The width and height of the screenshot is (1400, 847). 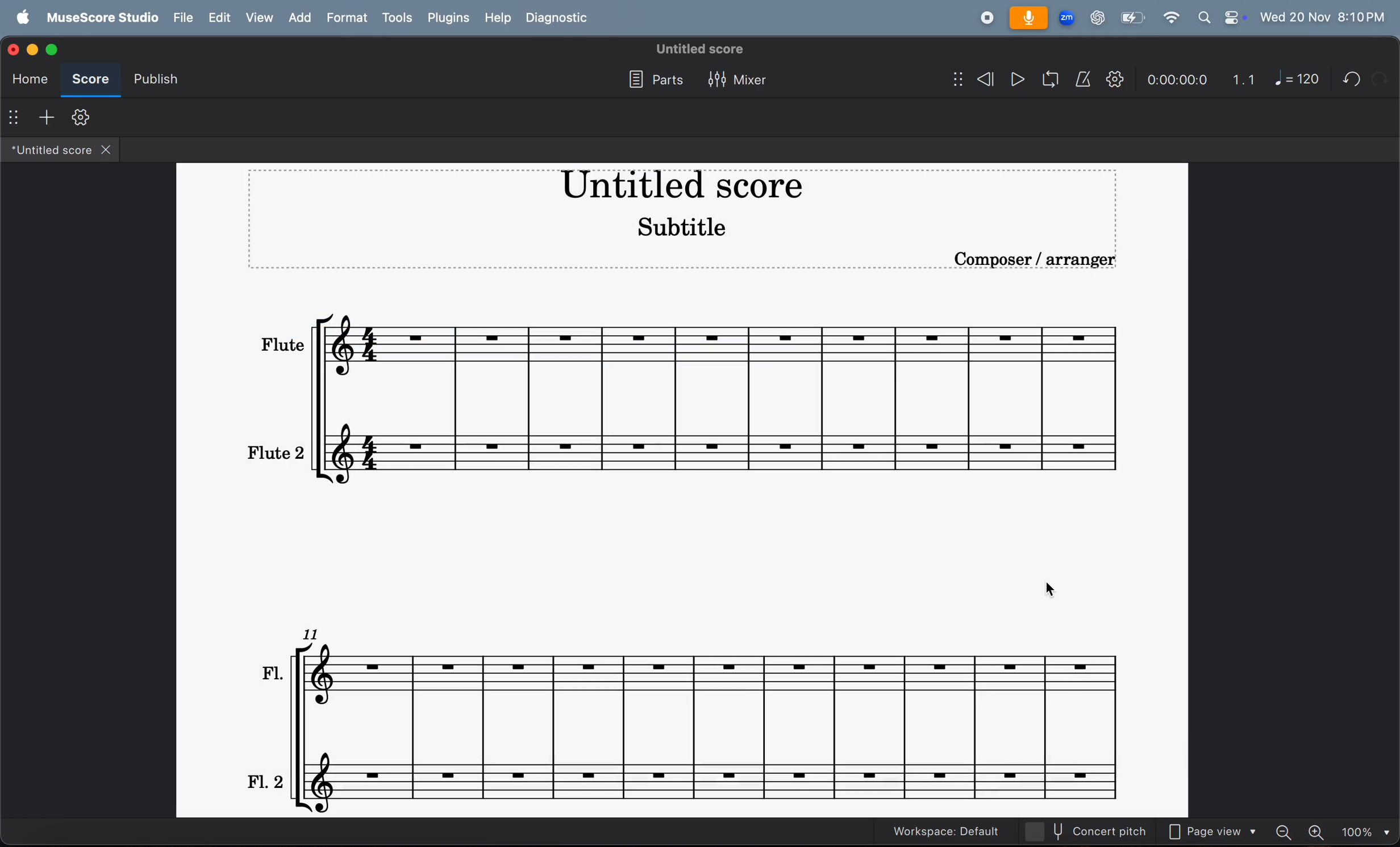 I want to click on close, so click(x=112, y=150).